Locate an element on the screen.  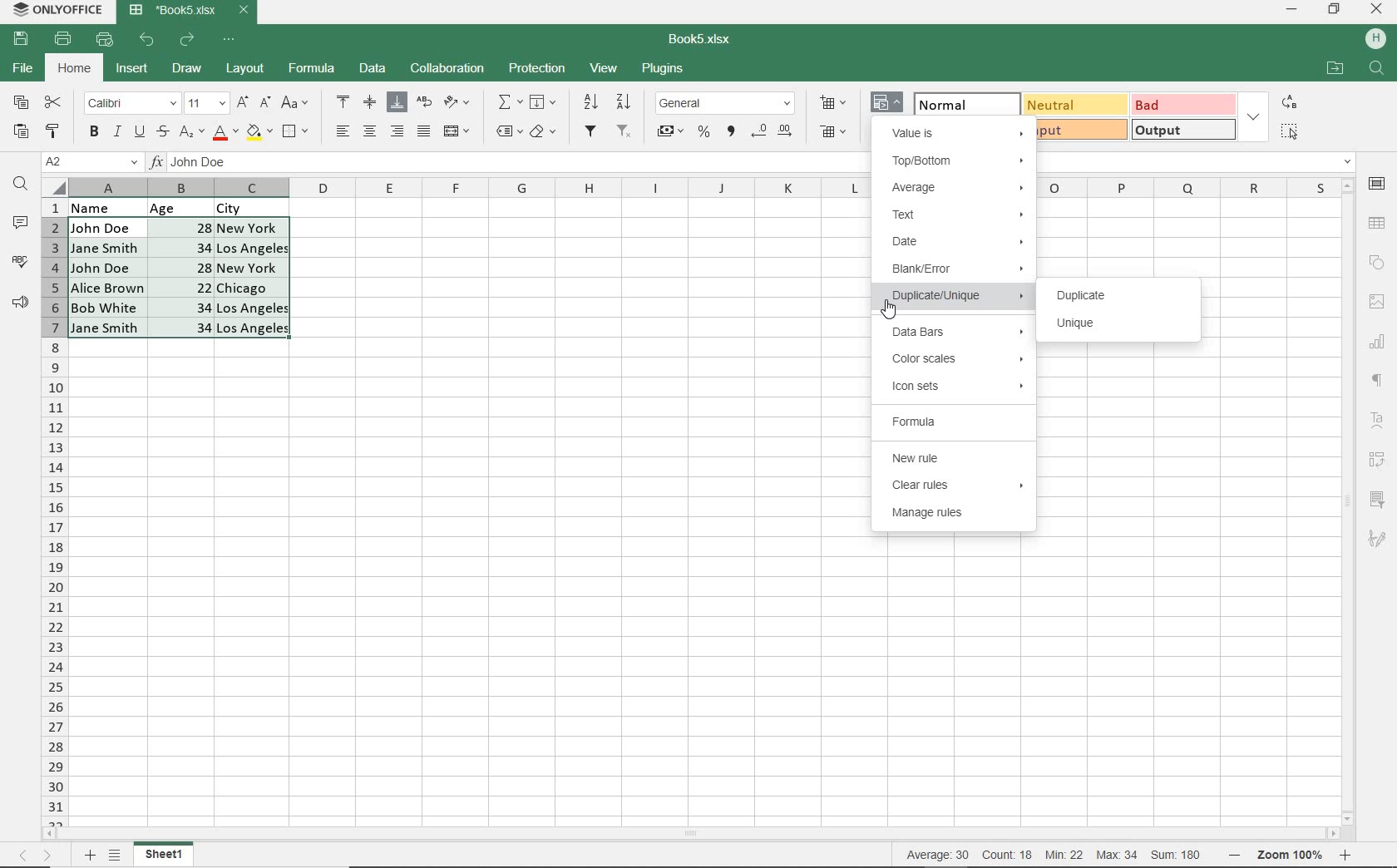
INPUT FUNCTION is located at coordinates (510, 165).